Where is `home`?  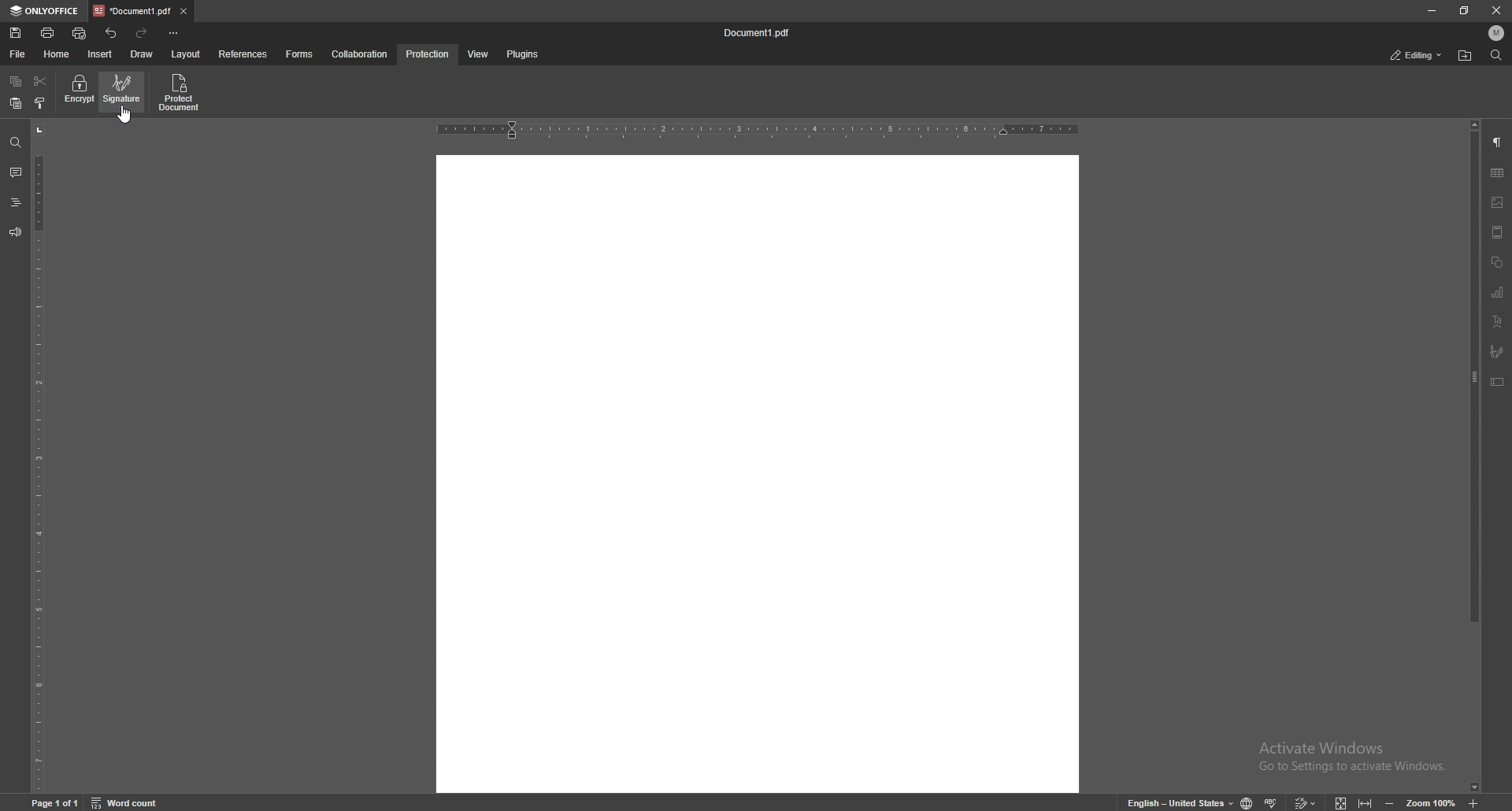
home is located at coordinates (59, 54).